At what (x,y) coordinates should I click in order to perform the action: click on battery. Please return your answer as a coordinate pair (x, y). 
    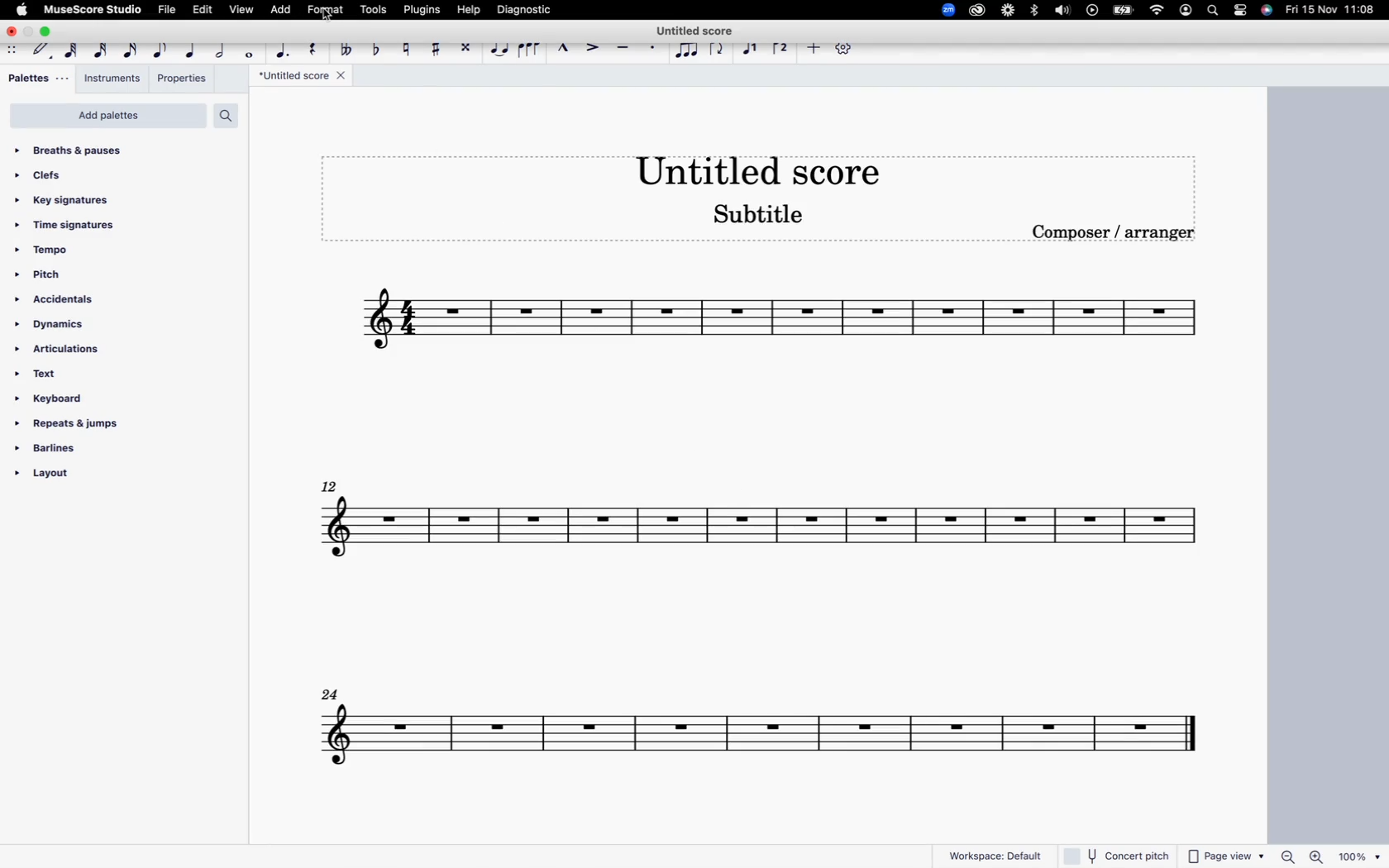
    Looking at the image, I should click on (1124, 13).